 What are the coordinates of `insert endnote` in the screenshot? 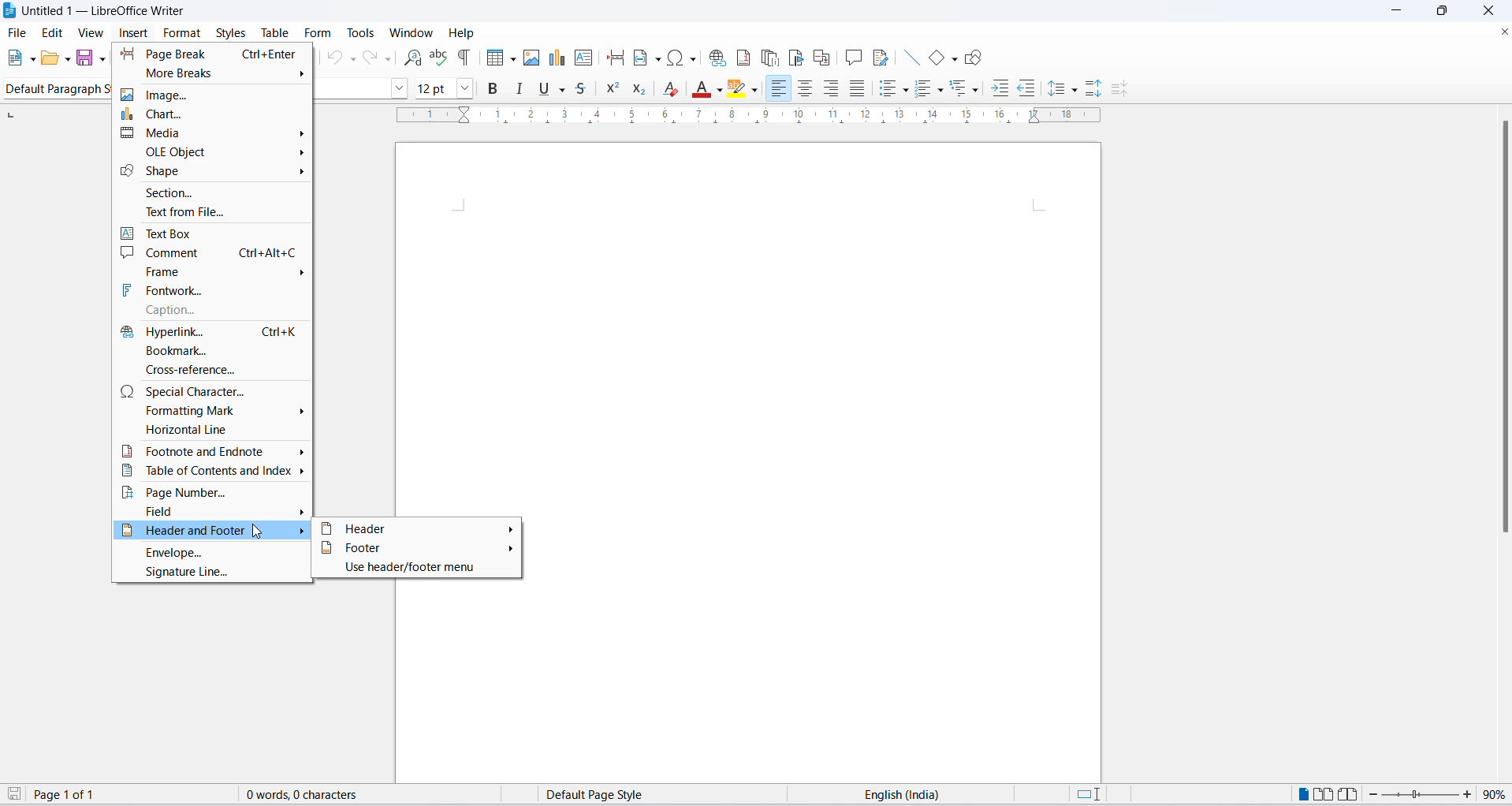 It's located at (769, 54).